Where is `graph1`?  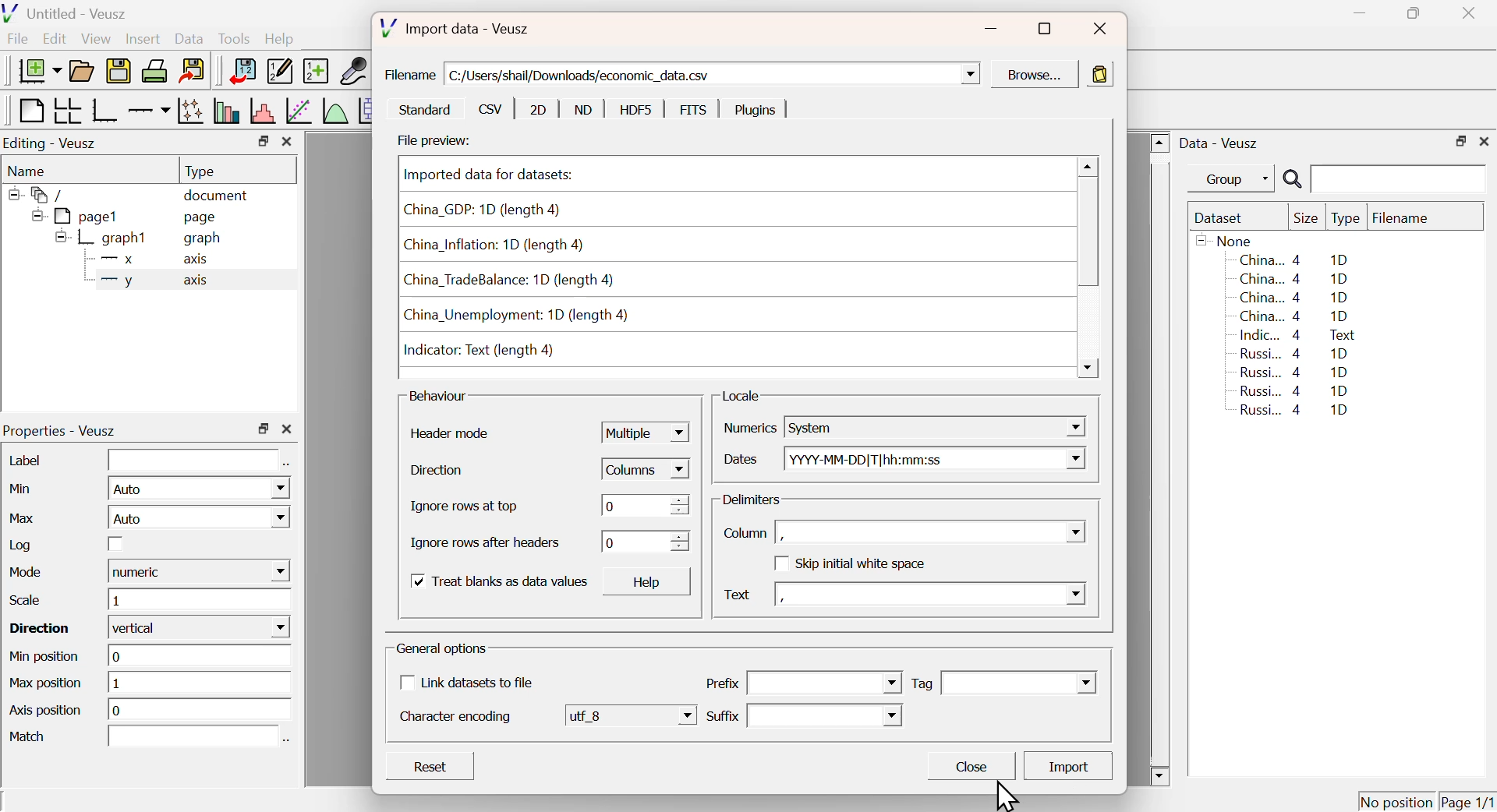
graph1 is located at coordinates (103, 237).